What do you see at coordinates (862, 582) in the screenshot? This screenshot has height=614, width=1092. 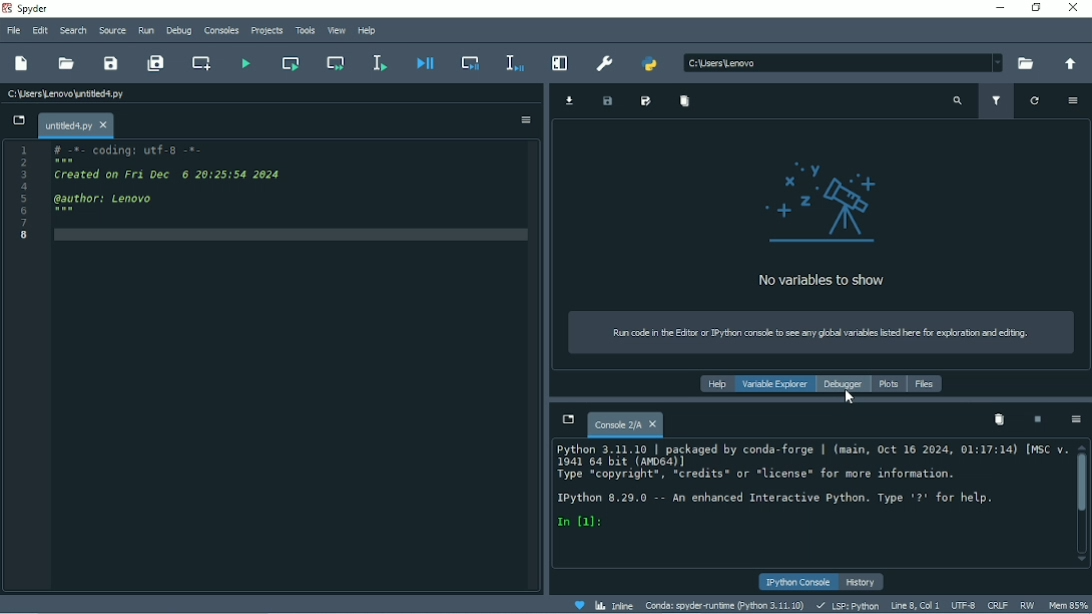 I see `History` at bounding box center [862, 582].